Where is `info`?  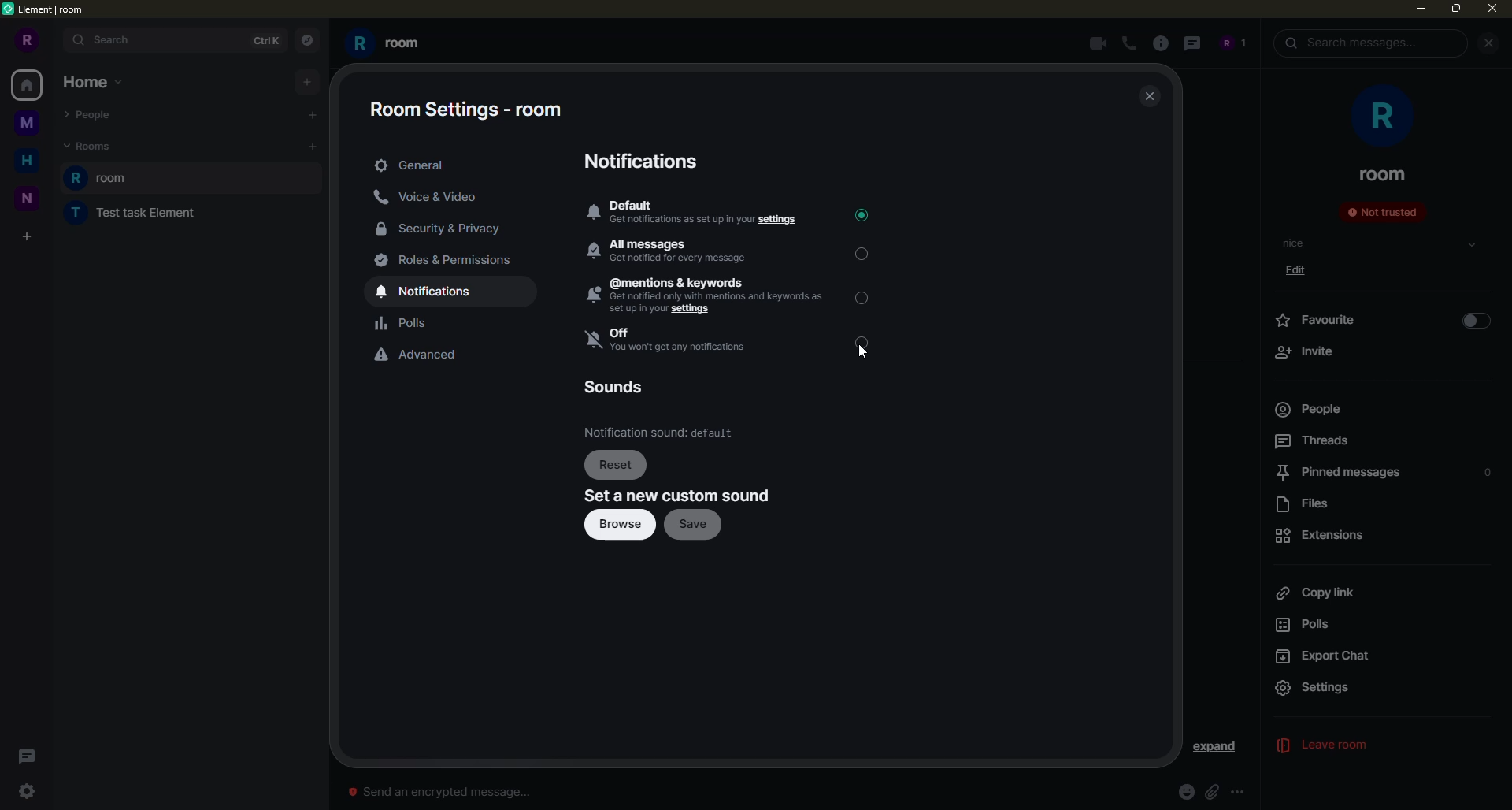 info is located at coordinates (806, 752).